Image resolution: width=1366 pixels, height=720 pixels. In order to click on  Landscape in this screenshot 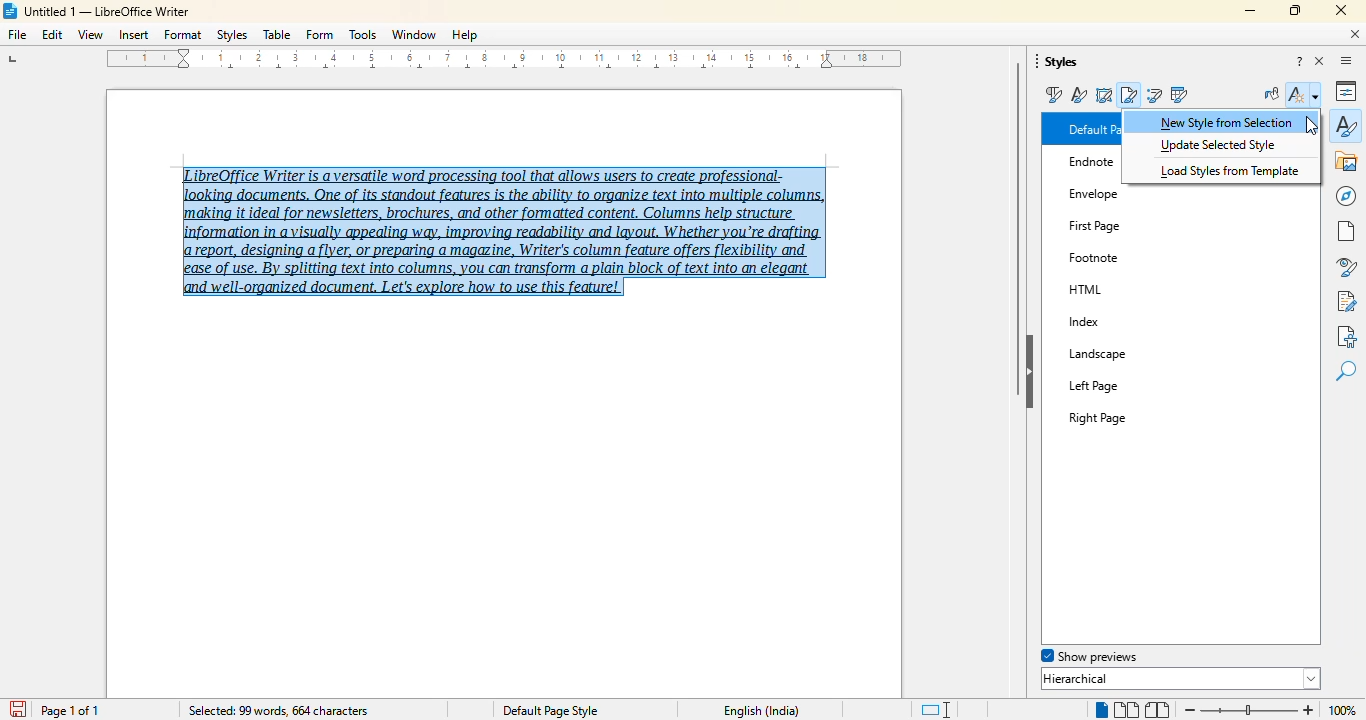, I will do `click(1119, 353)`.